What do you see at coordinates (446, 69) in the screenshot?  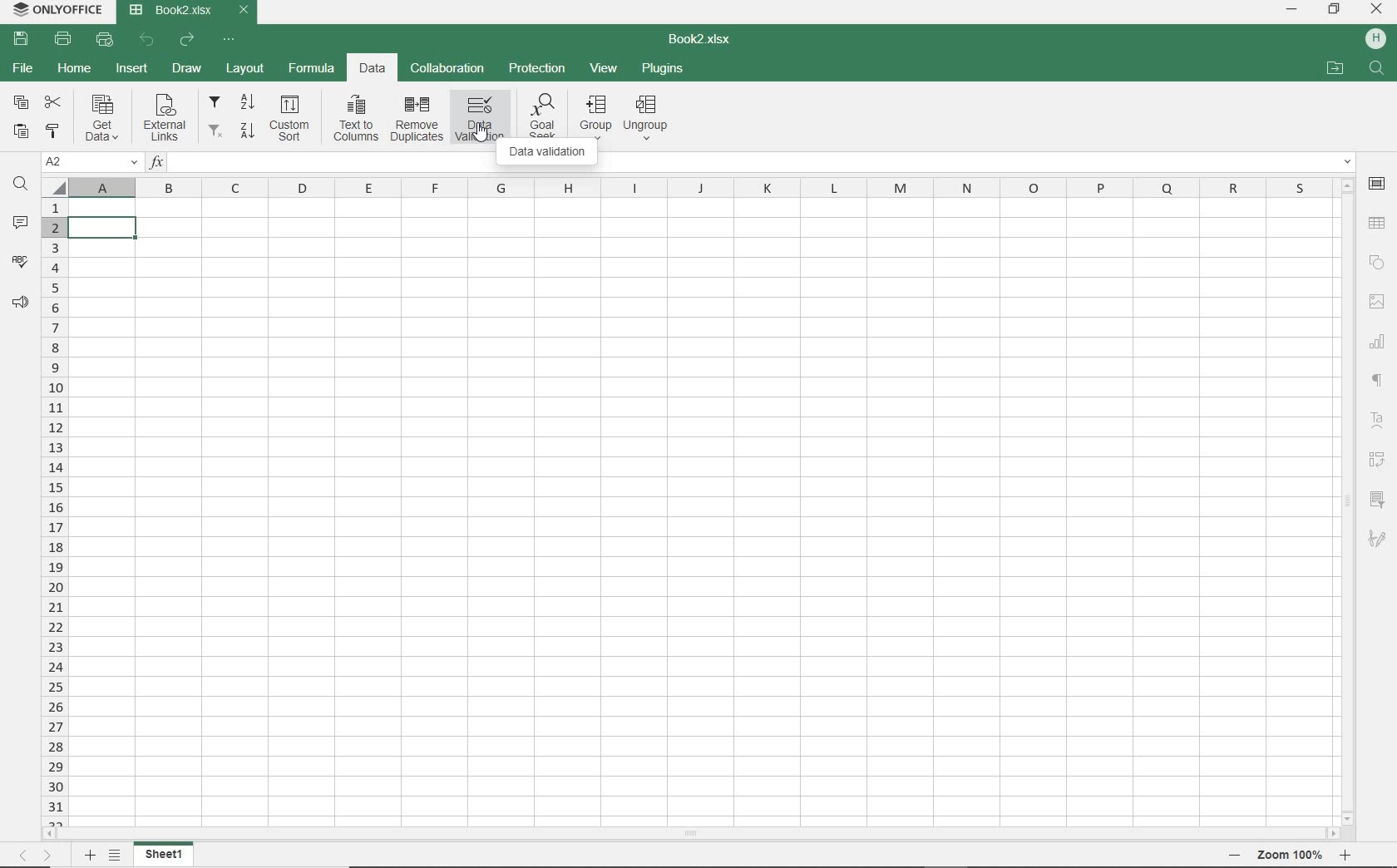 I see `COLLABORATION` at bounding box center [446, 69].